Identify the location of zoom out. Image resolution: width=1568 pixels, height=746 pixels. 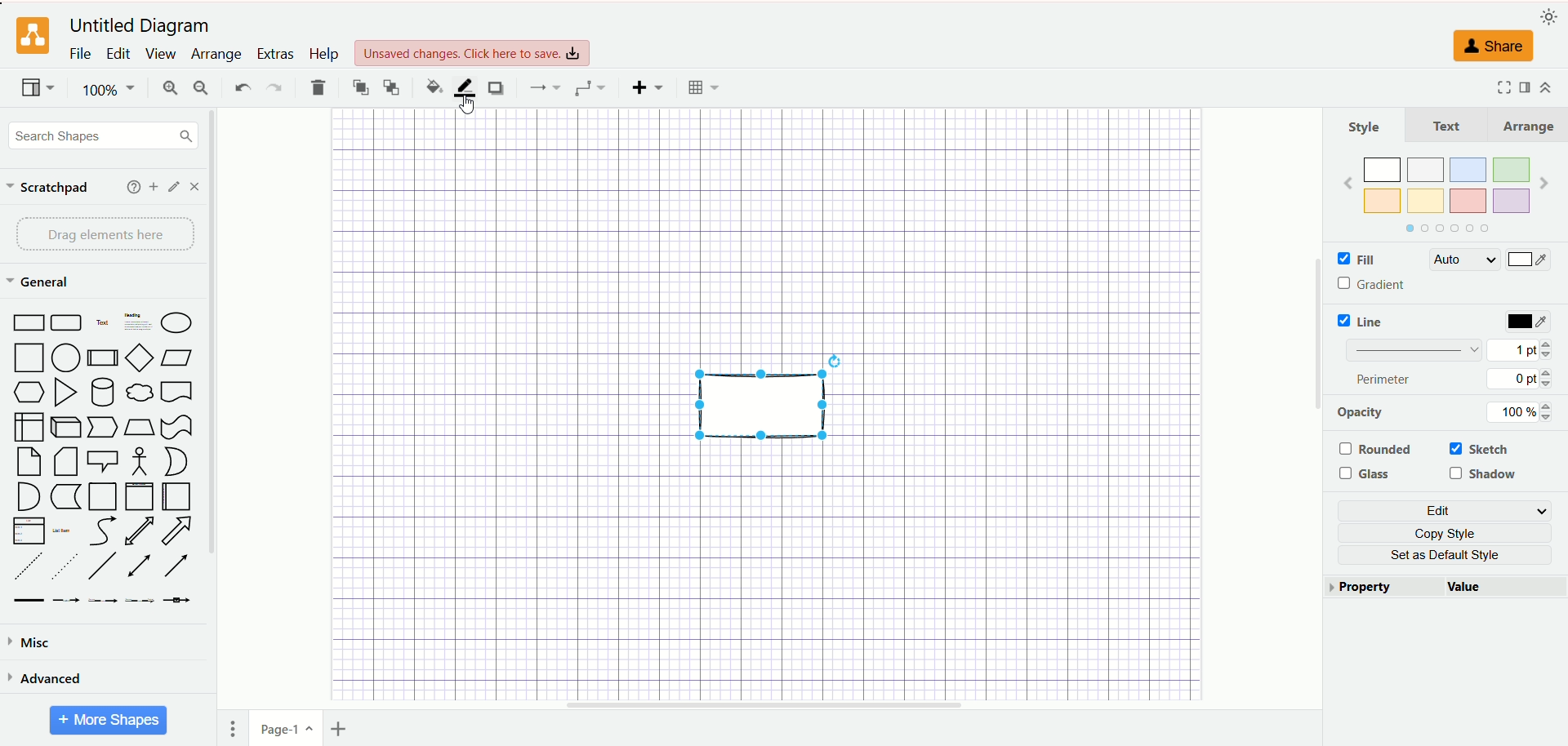
(203, 88).